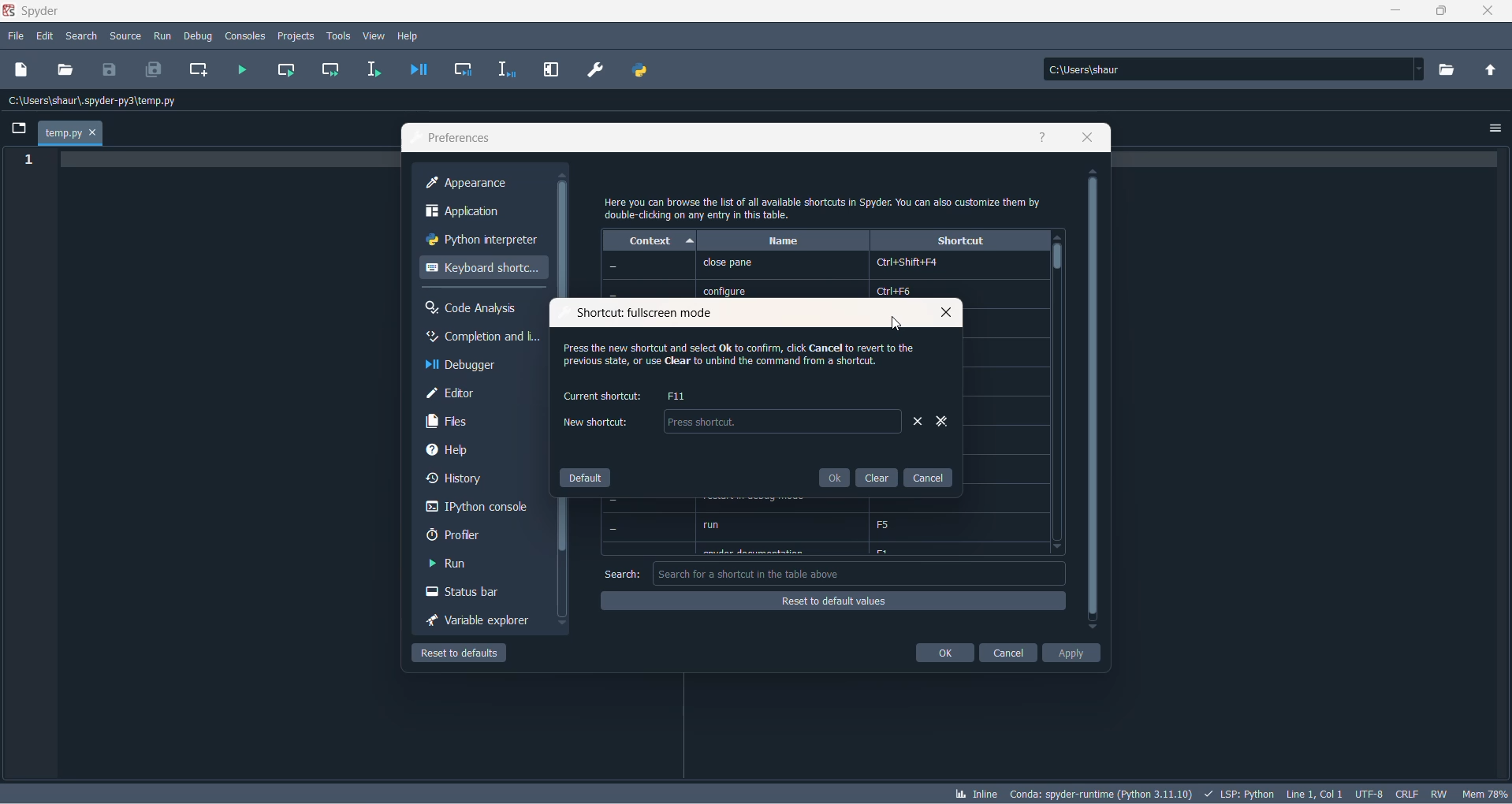 This screenshot has width=1512, height=804. I want to click on python interpreter, so click(481, 242).